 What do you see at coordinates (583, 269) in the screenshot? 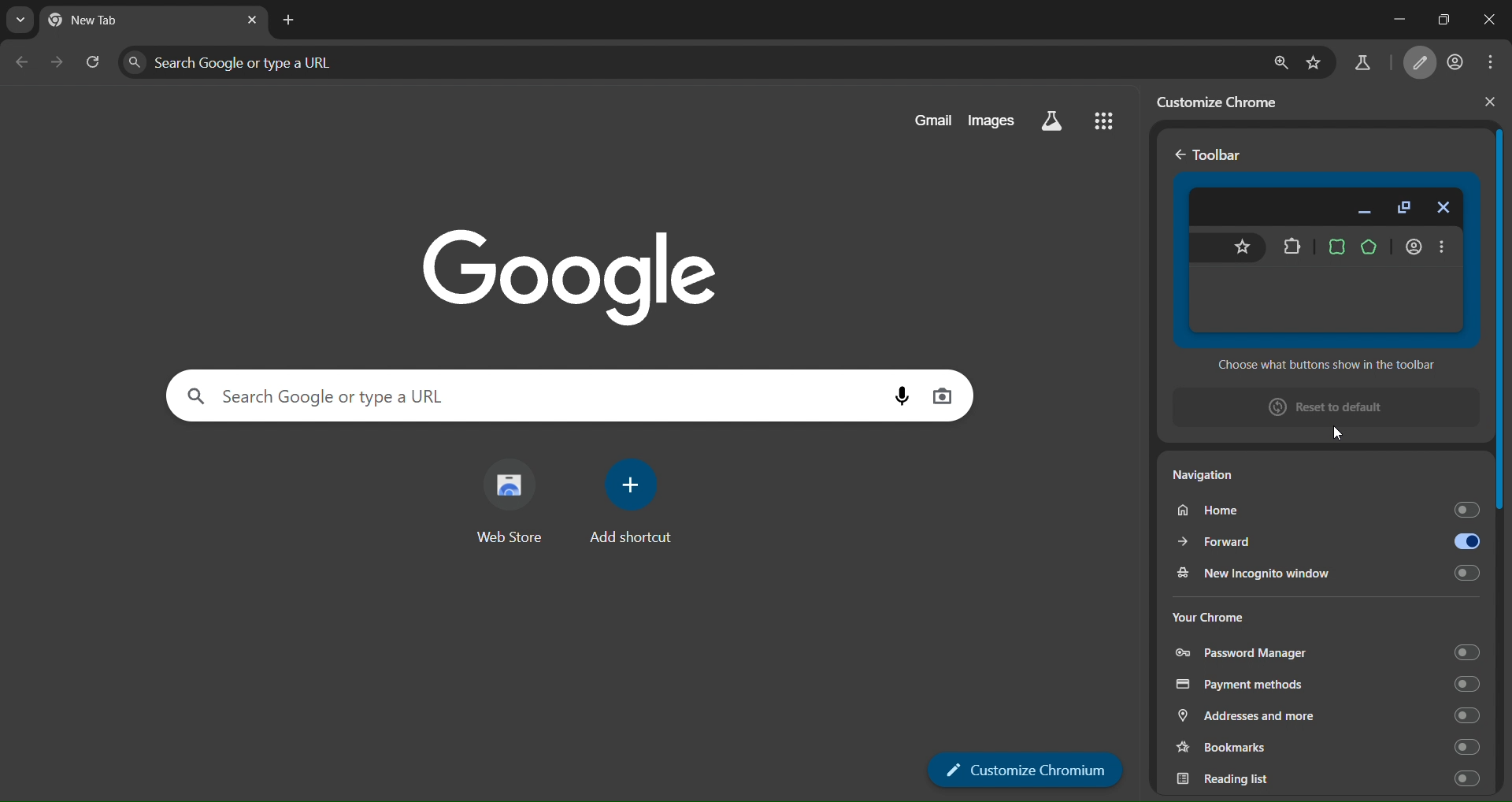
I see `image with google text` at bounding box center [583, 269].